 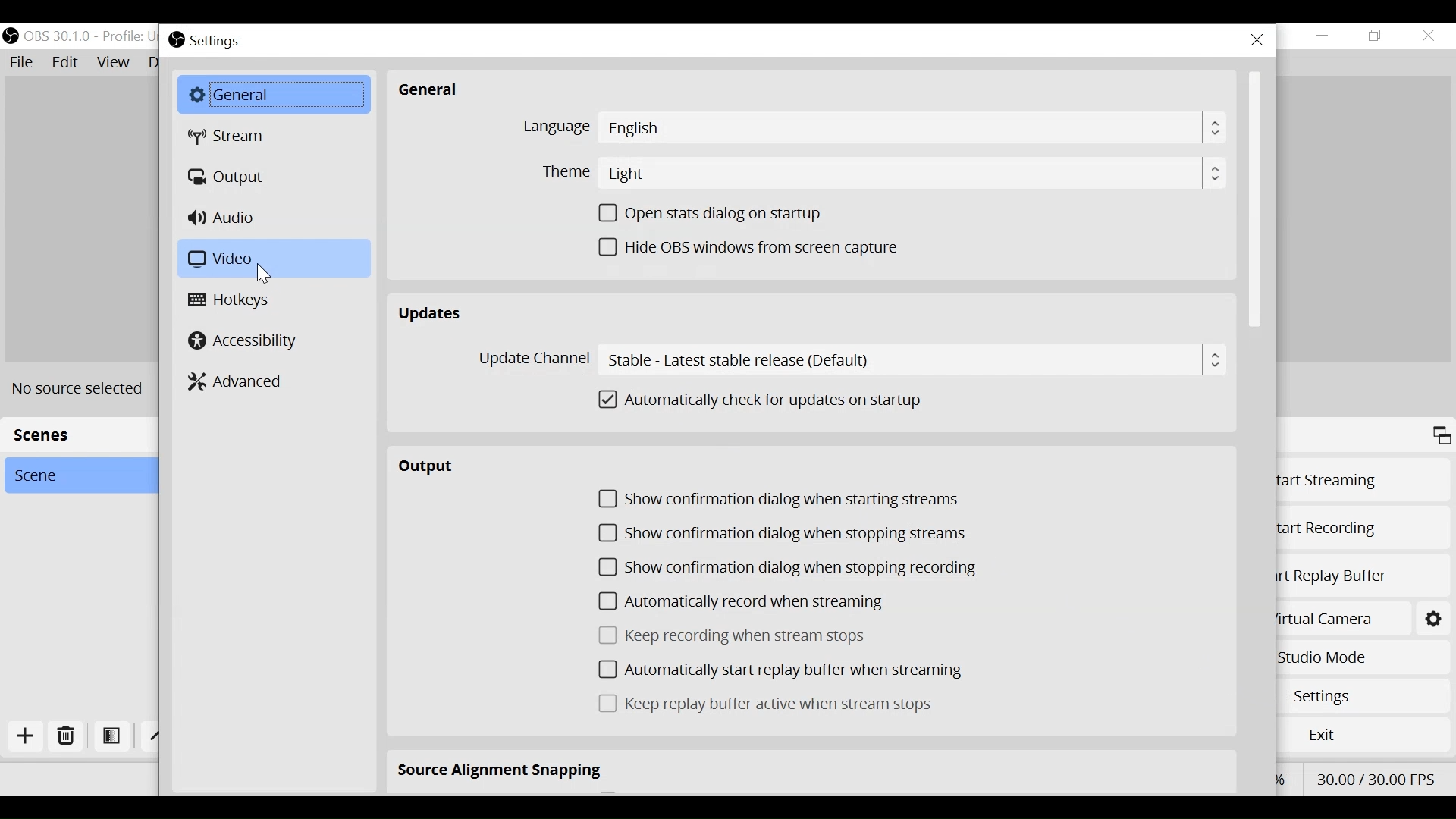 I want to click on (un)check Automatically check for updates on startup, so click(x=761, y=400).